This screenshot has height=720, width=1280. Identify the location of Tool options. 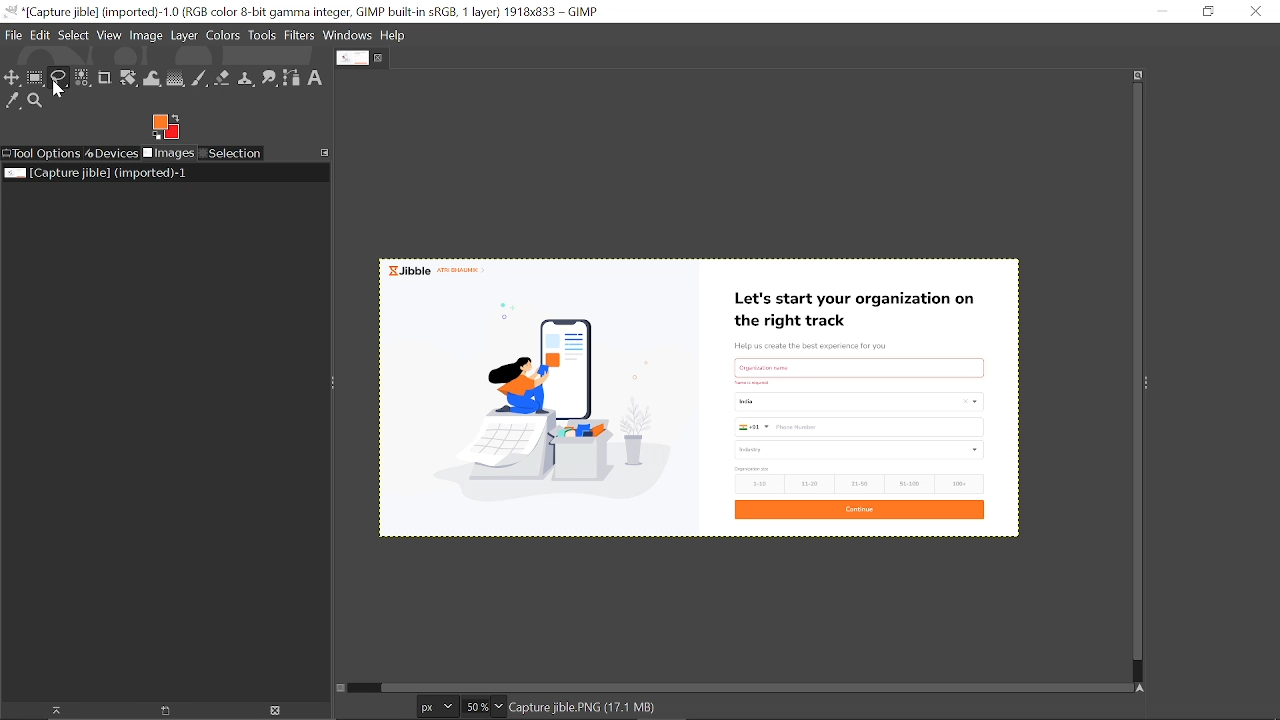
(41, 154).